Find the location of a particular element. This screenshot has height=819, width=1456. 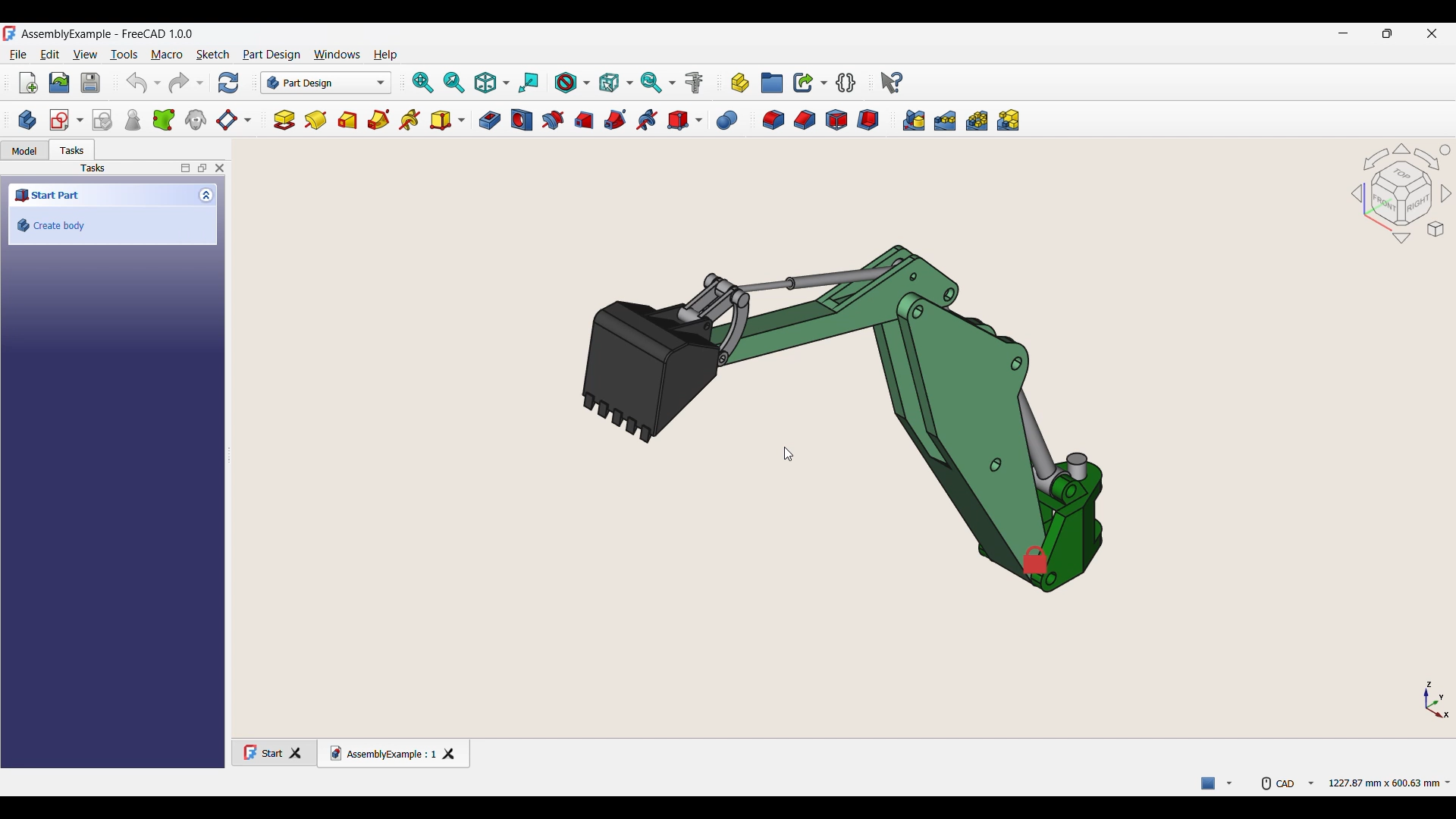

Switch between workbenches is located at coordinates (326, 83).